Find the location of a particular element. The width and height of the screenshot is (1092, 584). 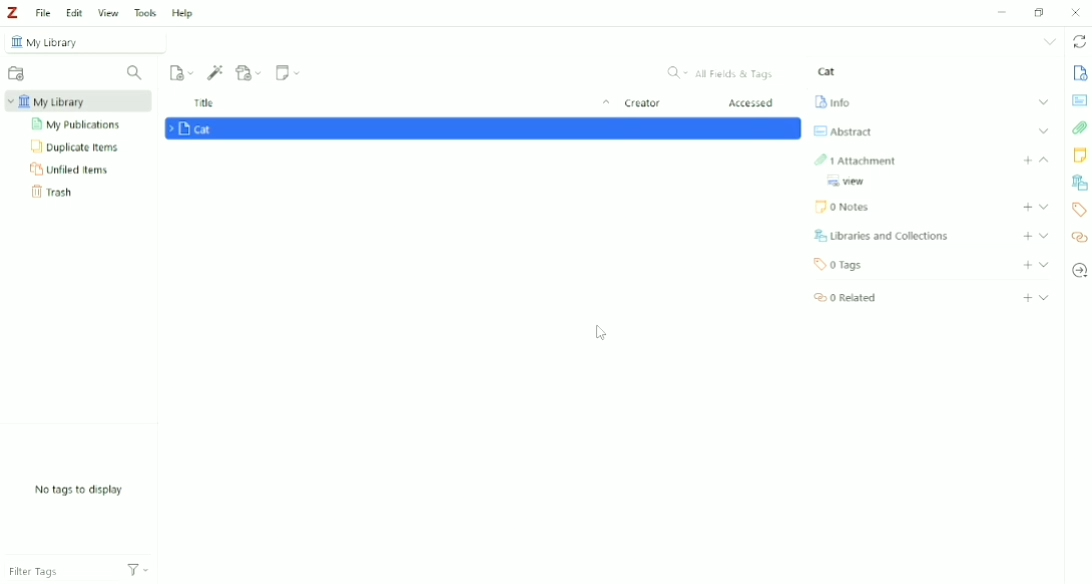

Add is located at coordinates (1028, 265).